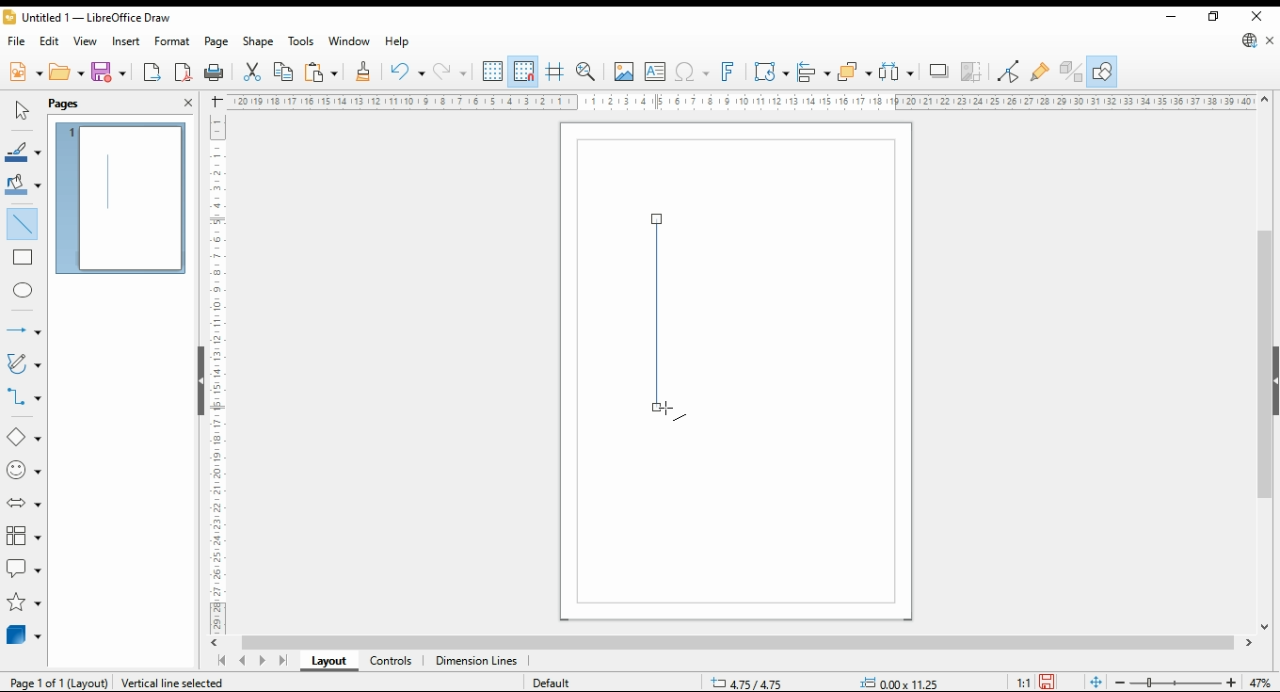 This screenshot has width=1280, height=692. I want to click on minimize, so click(1171, 17).